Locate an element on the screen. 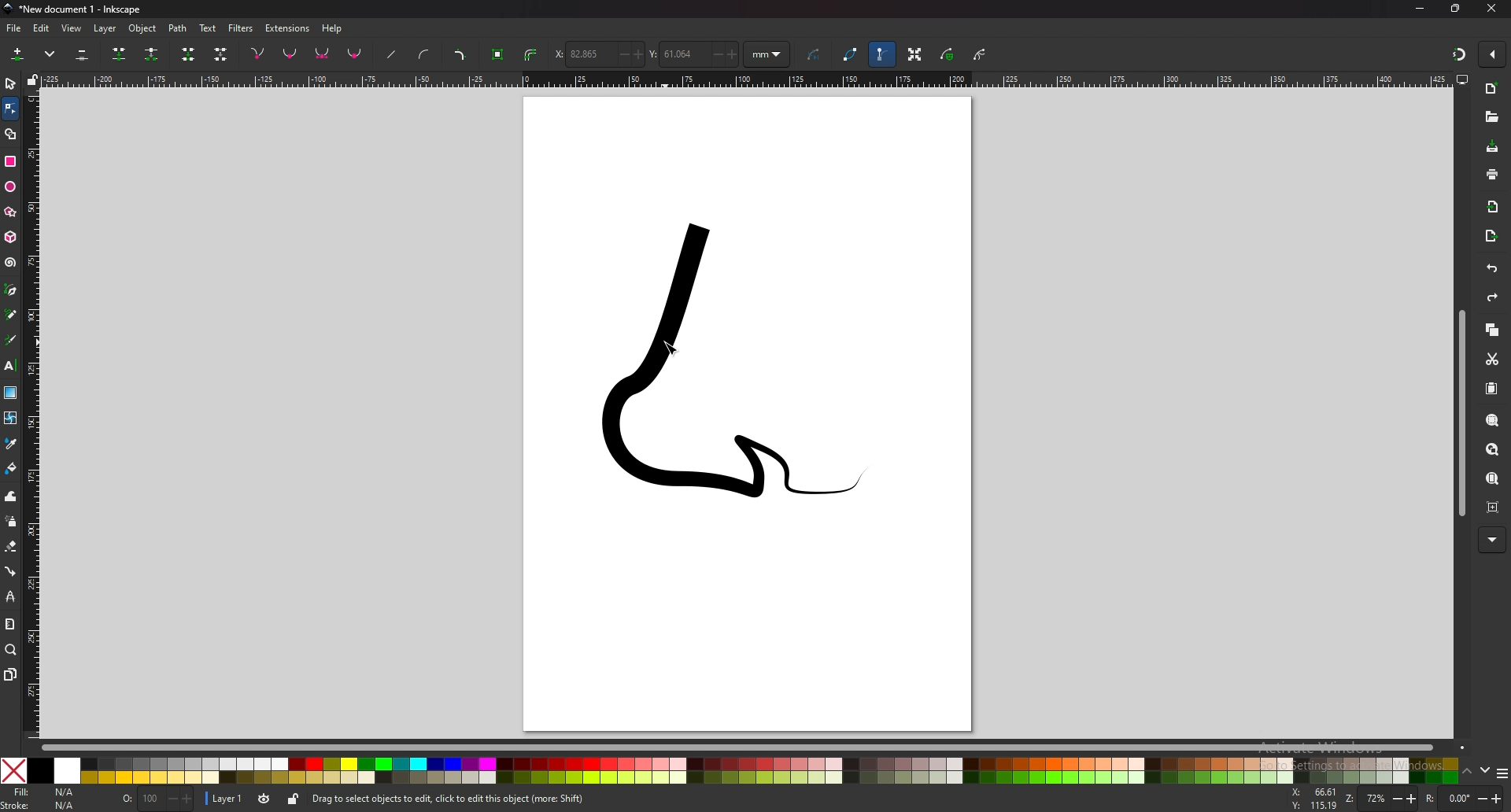  unit is located at coordinates (767, 55).